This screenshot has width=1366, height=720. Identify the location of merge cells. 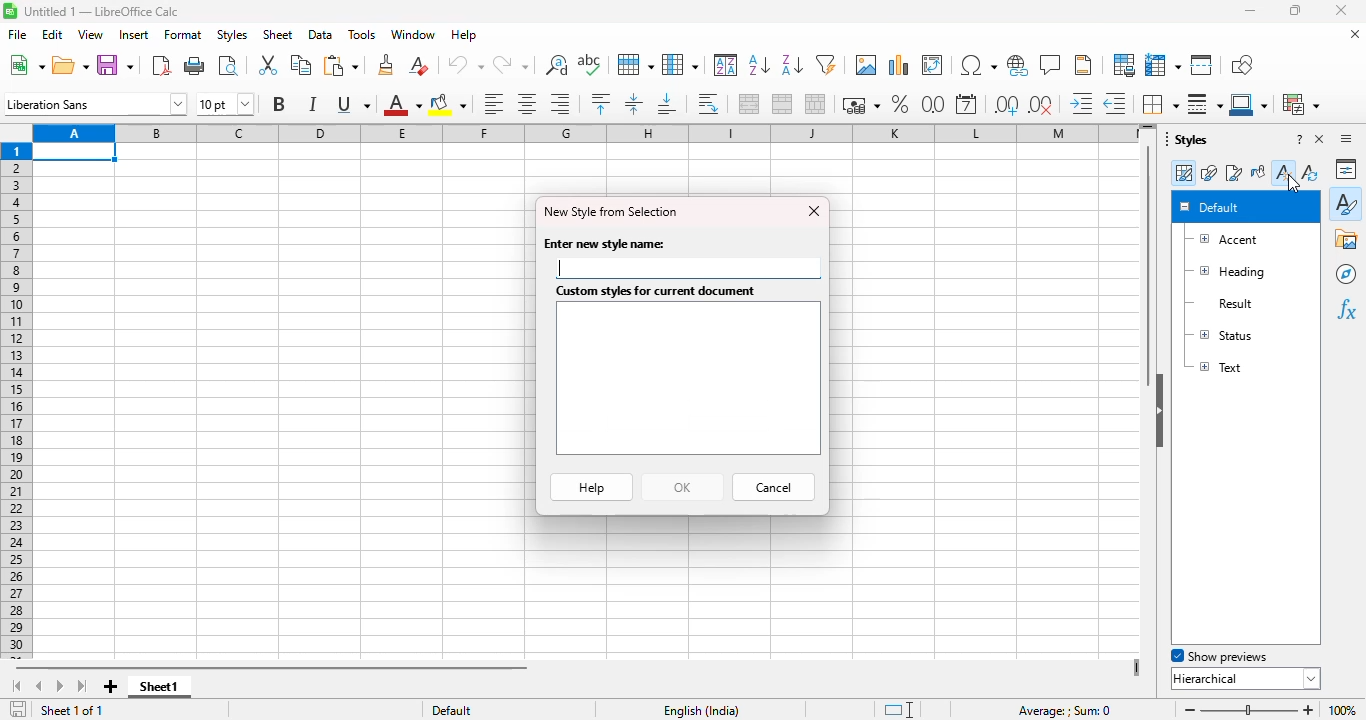
(782, 104).